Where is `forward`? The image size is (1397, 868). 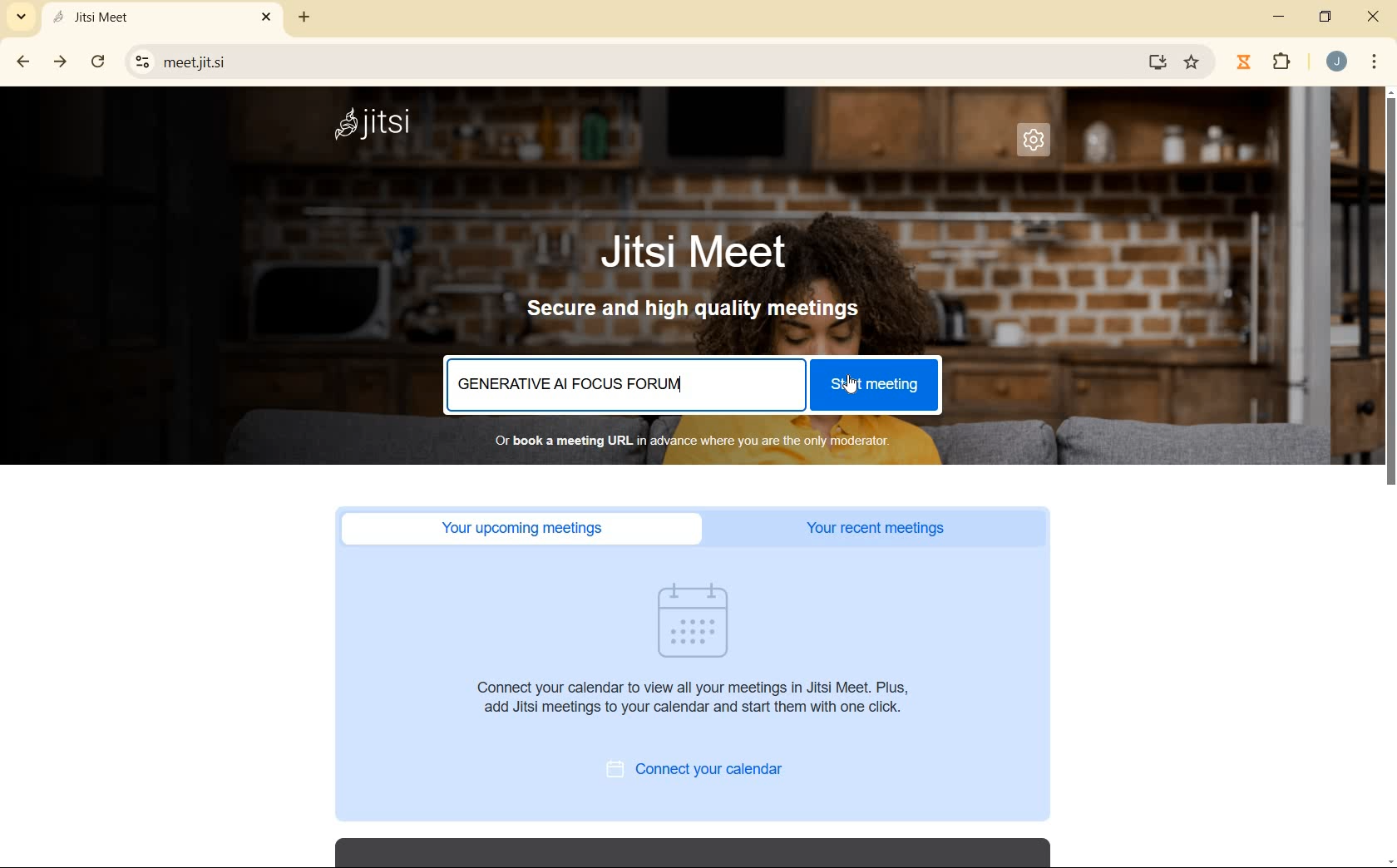 forward is located at coordinates (57, 62).